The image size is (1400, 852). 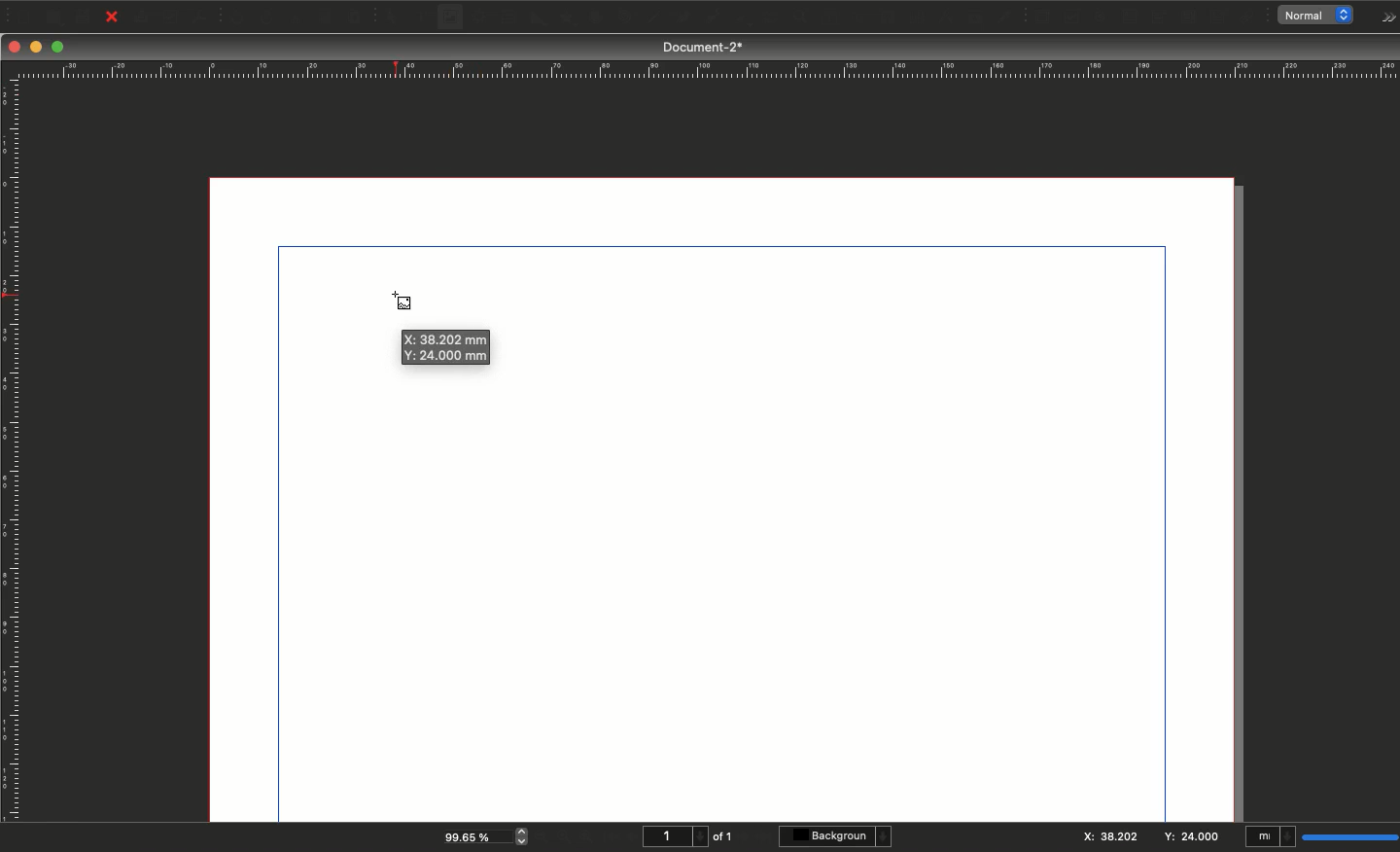 What do you see at coordinates (421, 19) in the screenshot?
I see `Text frame` at bounding box center [421, 19].